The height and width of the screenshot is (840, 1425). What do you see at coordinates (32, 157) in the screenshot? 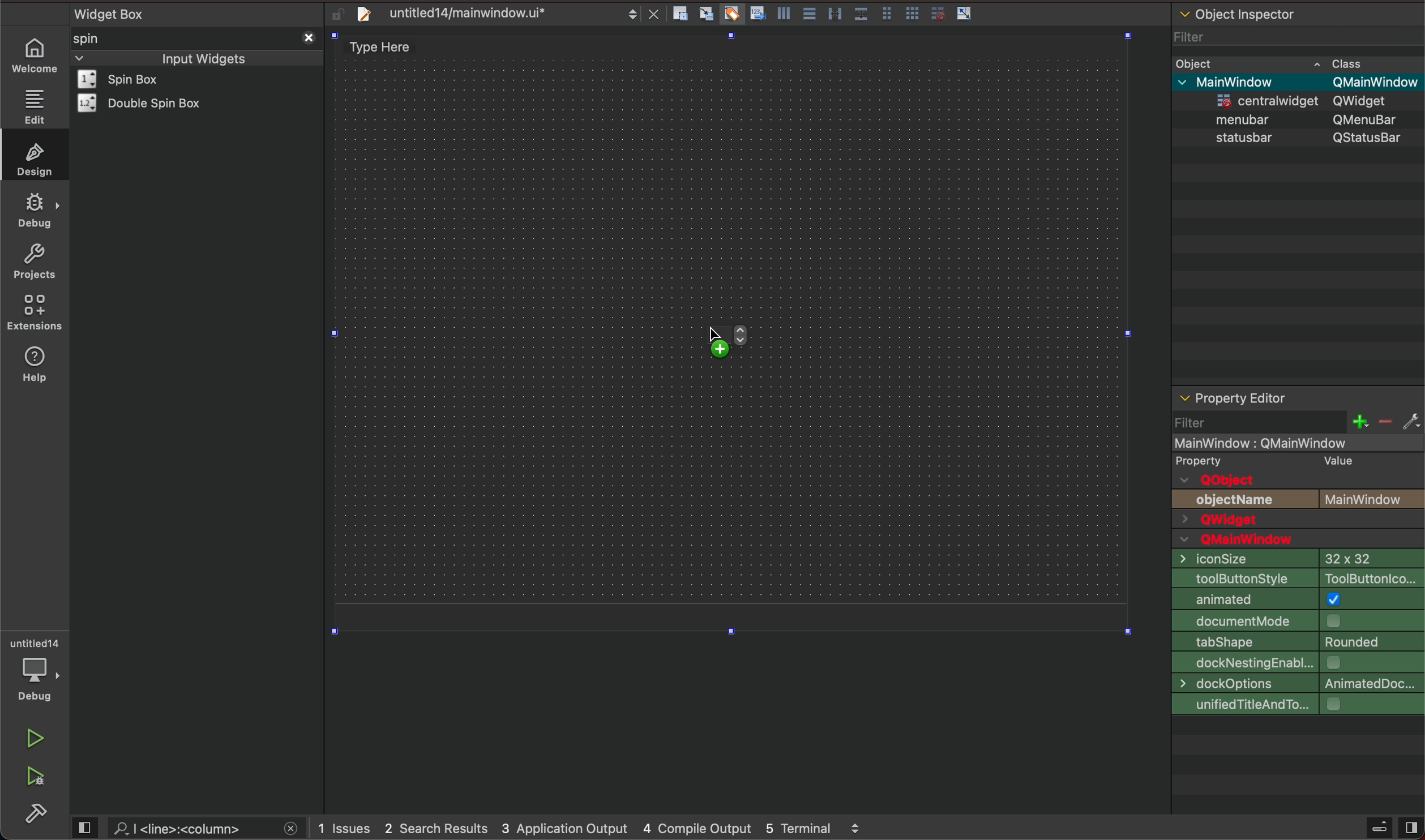
I see `design` at bounding box center [32, 157].